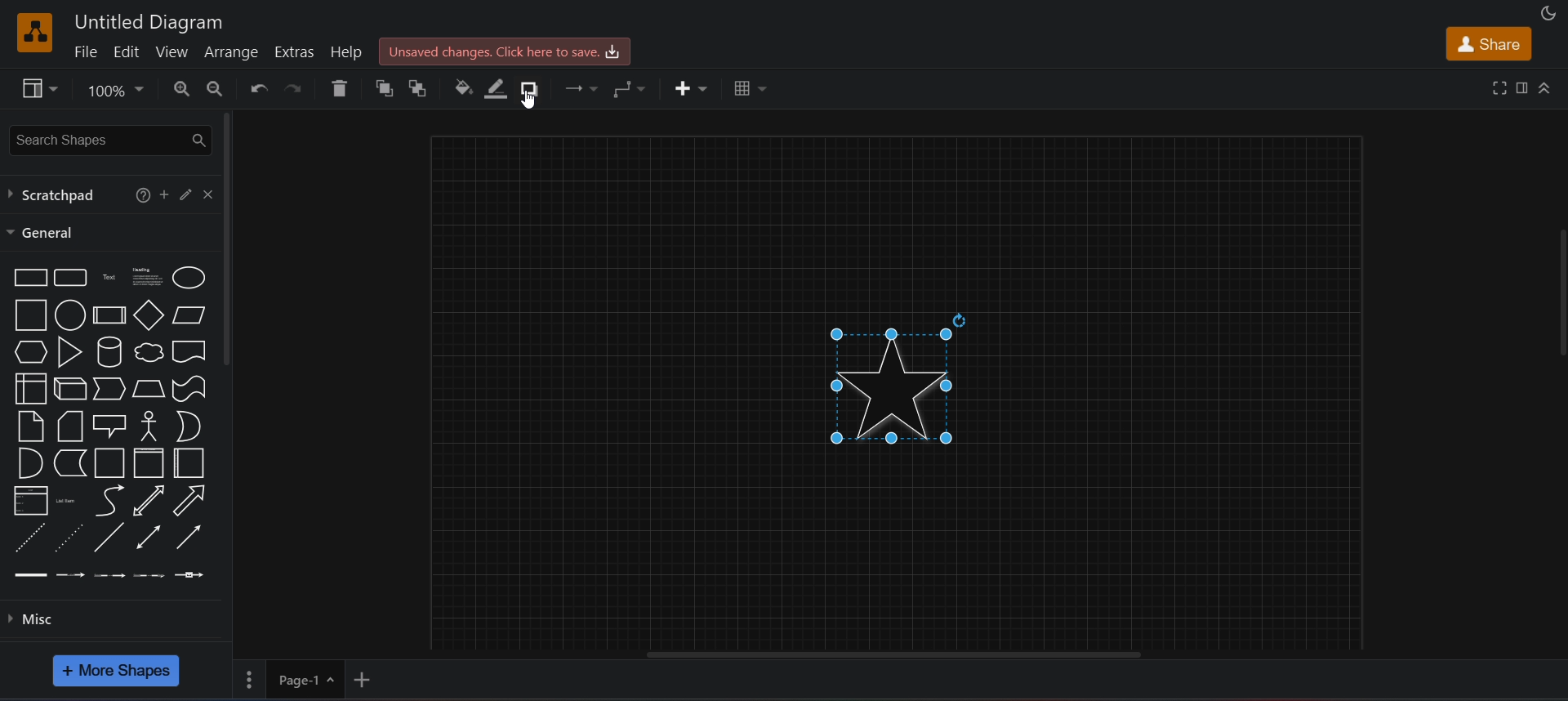  I want to click on text list, so click(66, 502).